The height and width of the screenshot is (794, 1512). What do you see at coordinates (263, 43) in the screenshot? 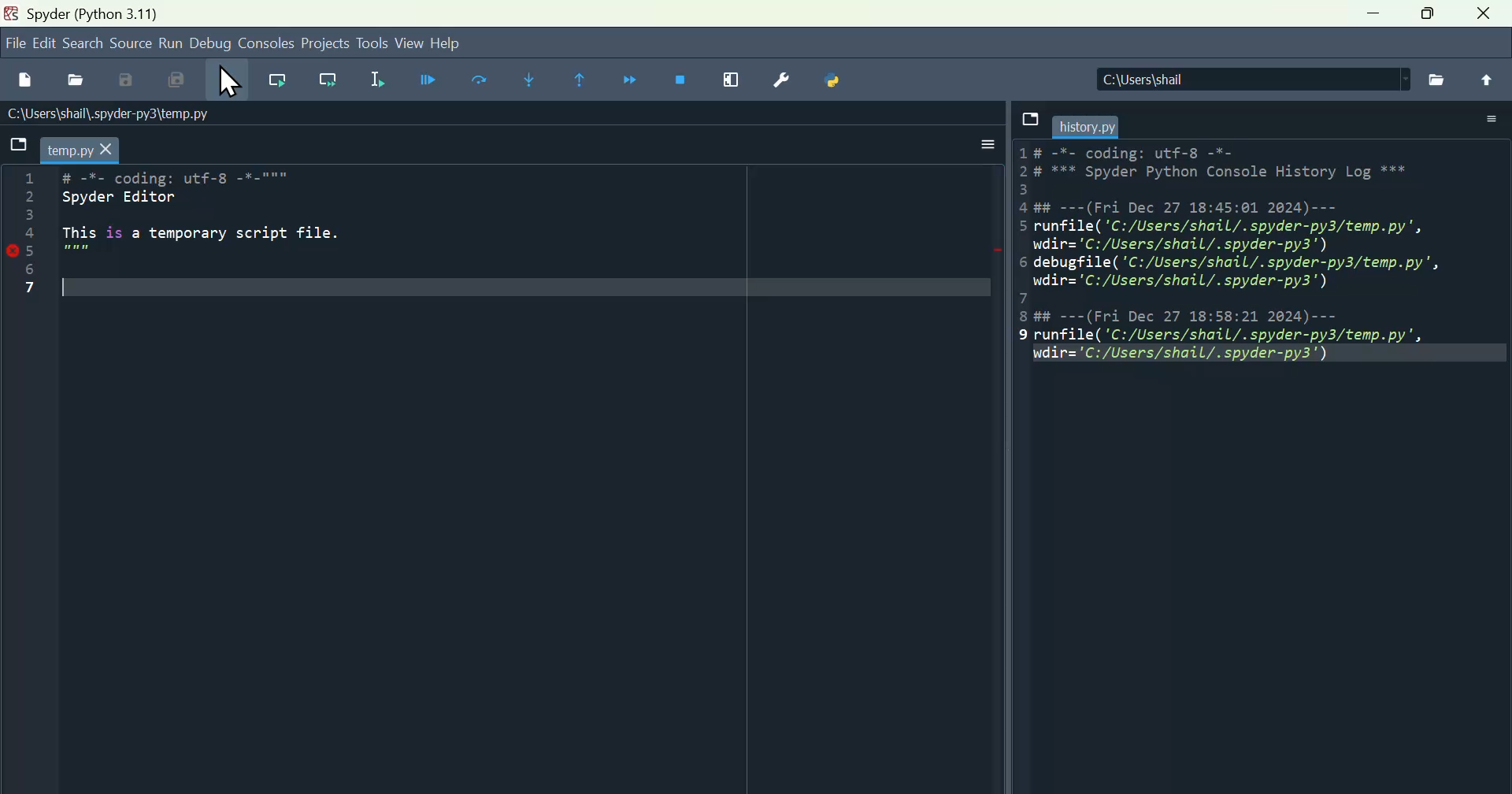
I see `Console` at bounding box center [263, 43].